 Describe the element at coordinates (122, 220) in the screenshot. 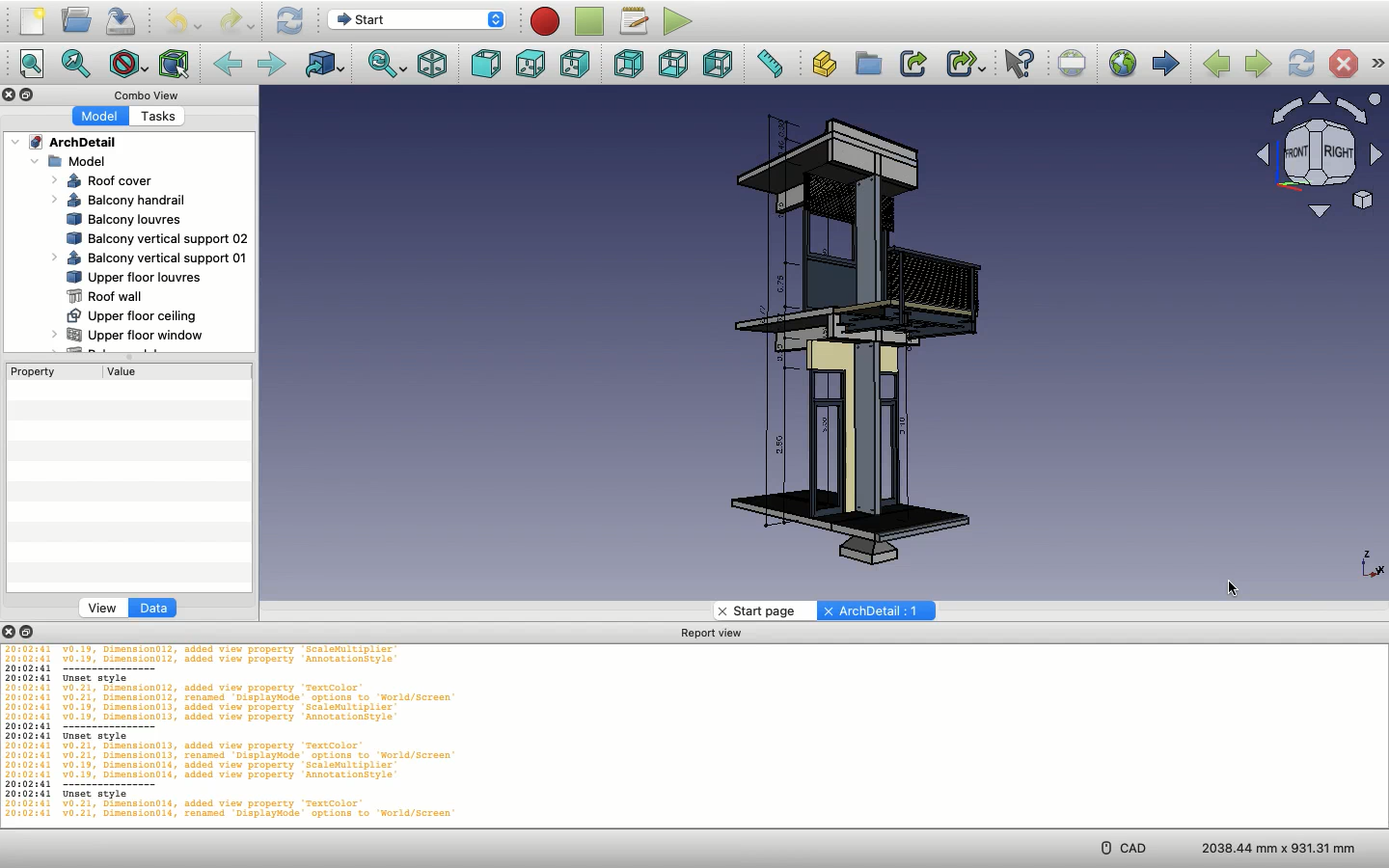

I see `Balcony louvres` at that location.